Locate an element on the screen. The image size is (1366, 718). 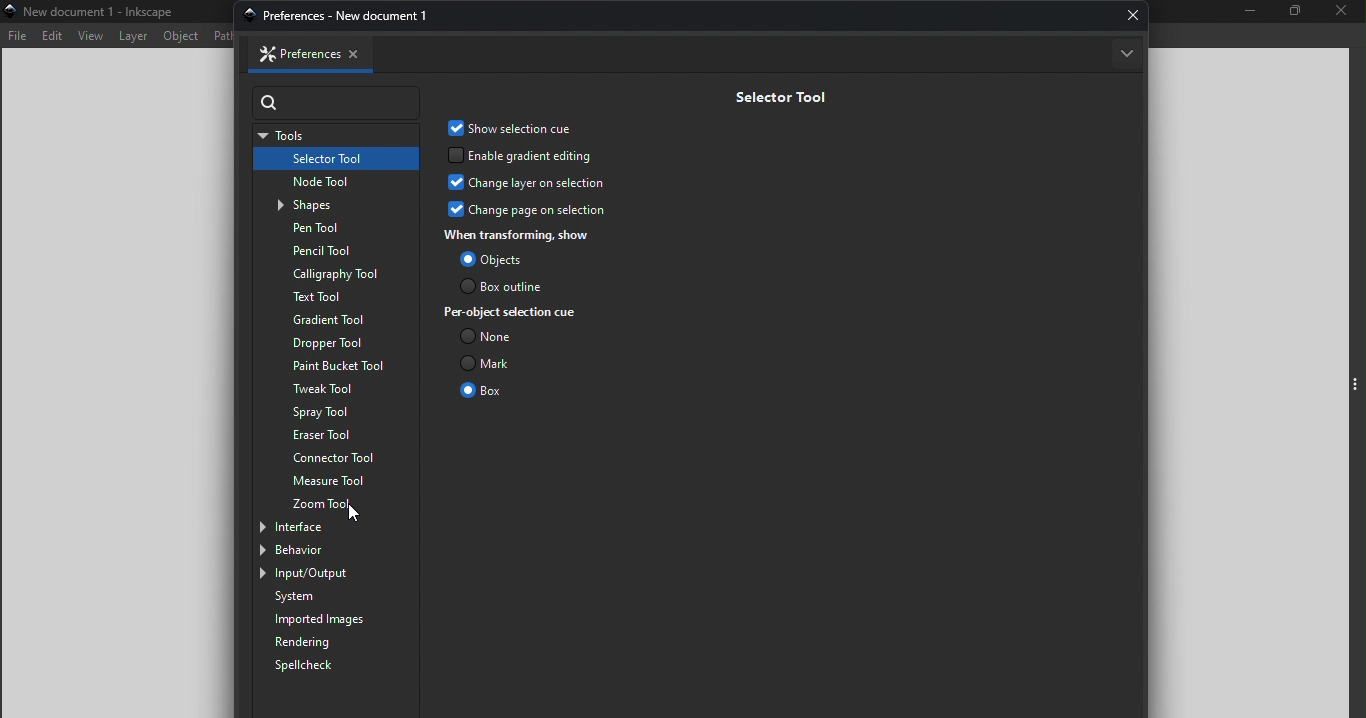
Tweak tool is located at coordinates (330, 388).